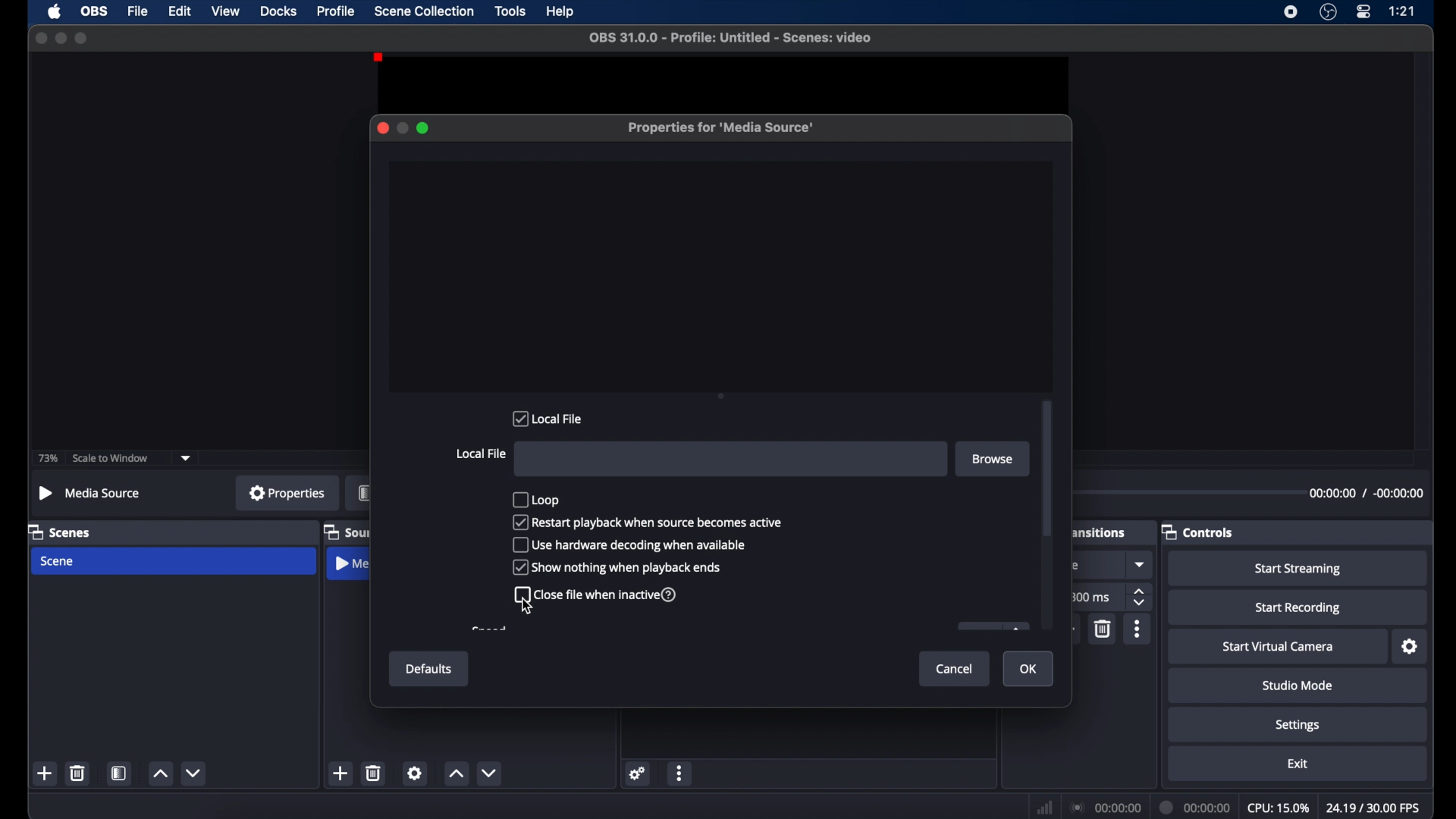 The image size is (1456, 819). I want to click on view, so click(227, 12).